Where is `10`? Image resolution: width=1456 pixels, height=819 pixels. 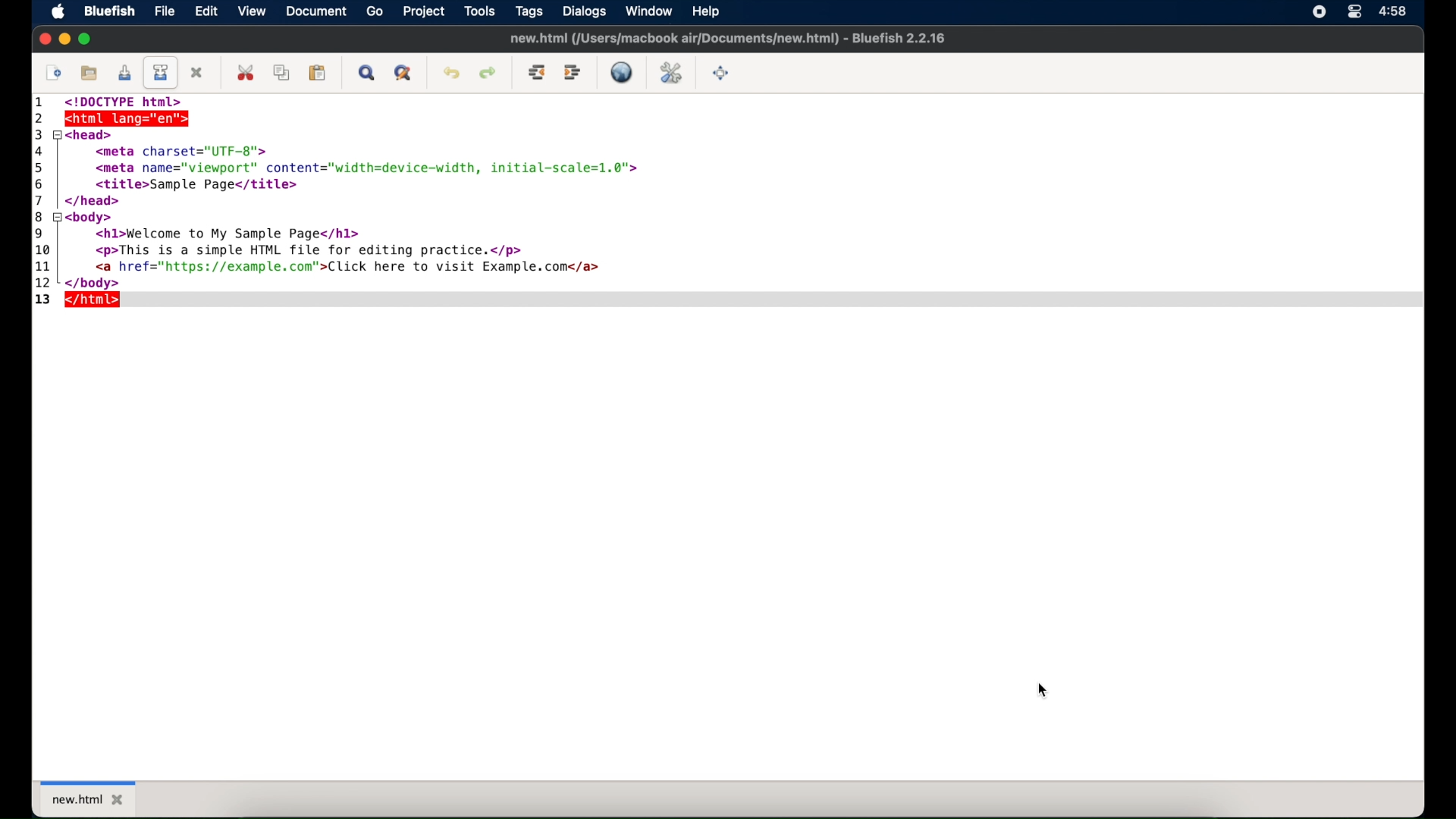 10 is located at coordinates (43, 250).